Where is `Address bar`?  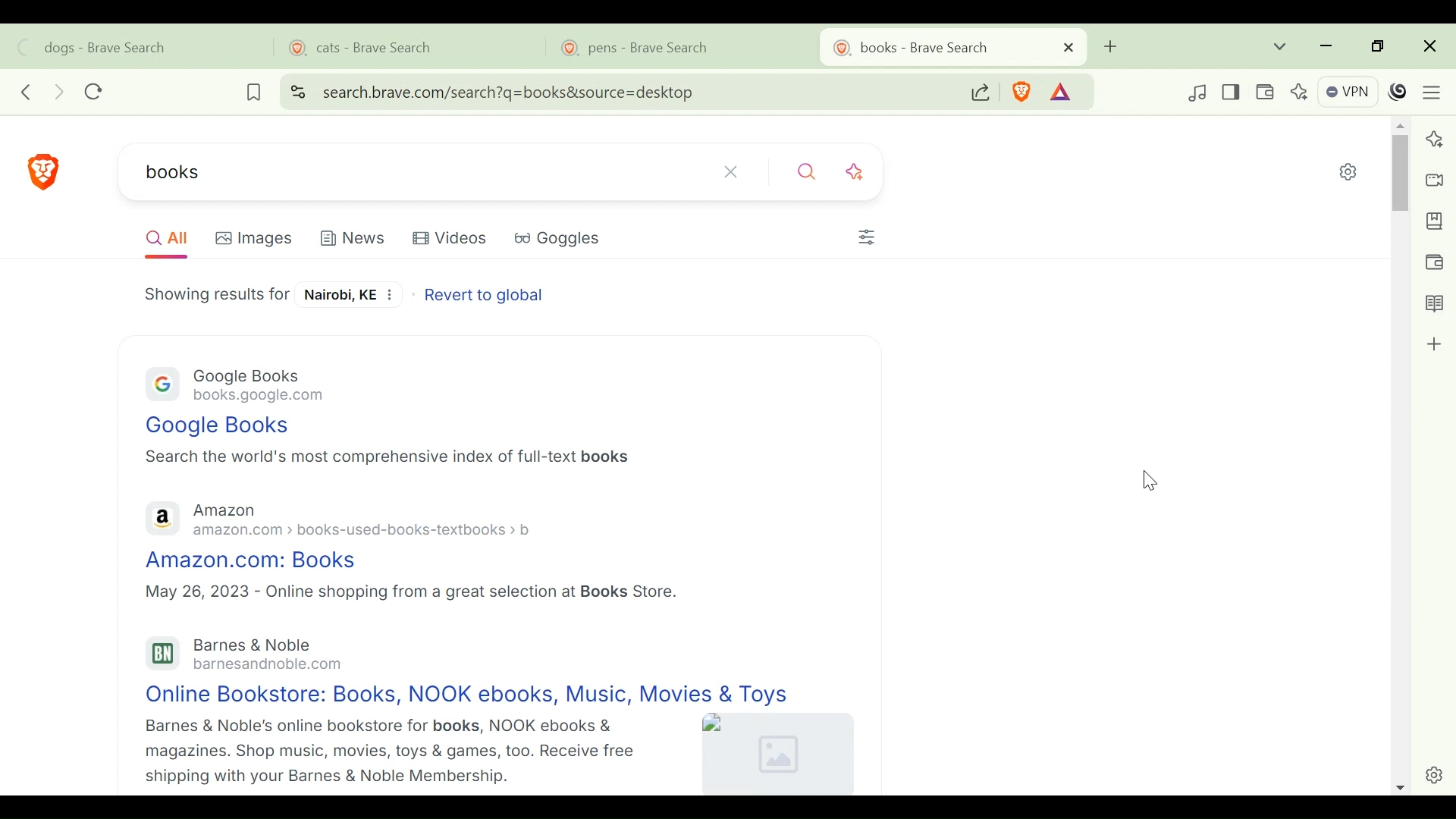
Address bar is located at coordinates (618, 90).